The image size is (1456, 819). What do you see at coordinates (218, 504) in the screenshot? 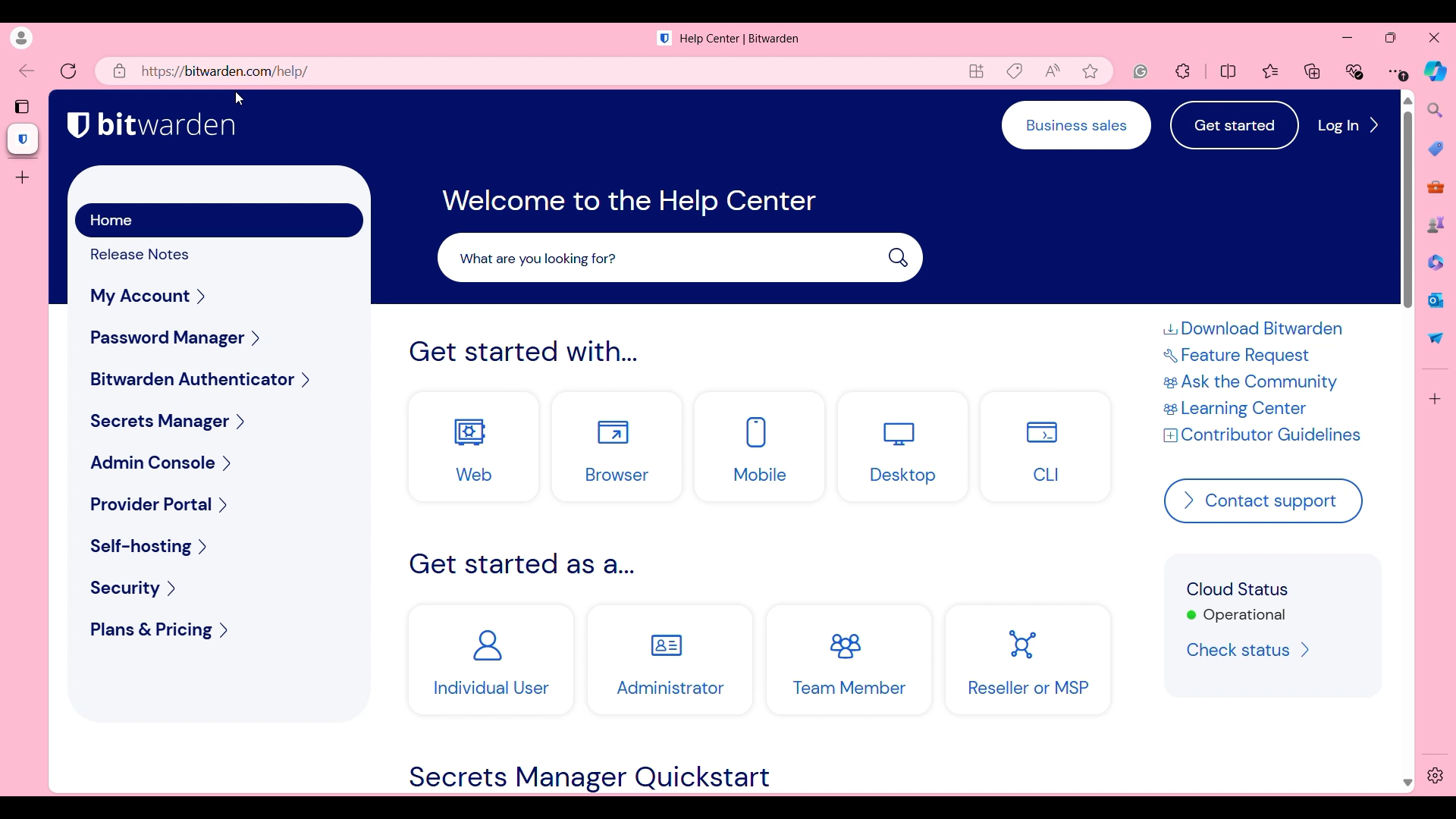
I see `Provider portal` at bounding box center [218, 504].